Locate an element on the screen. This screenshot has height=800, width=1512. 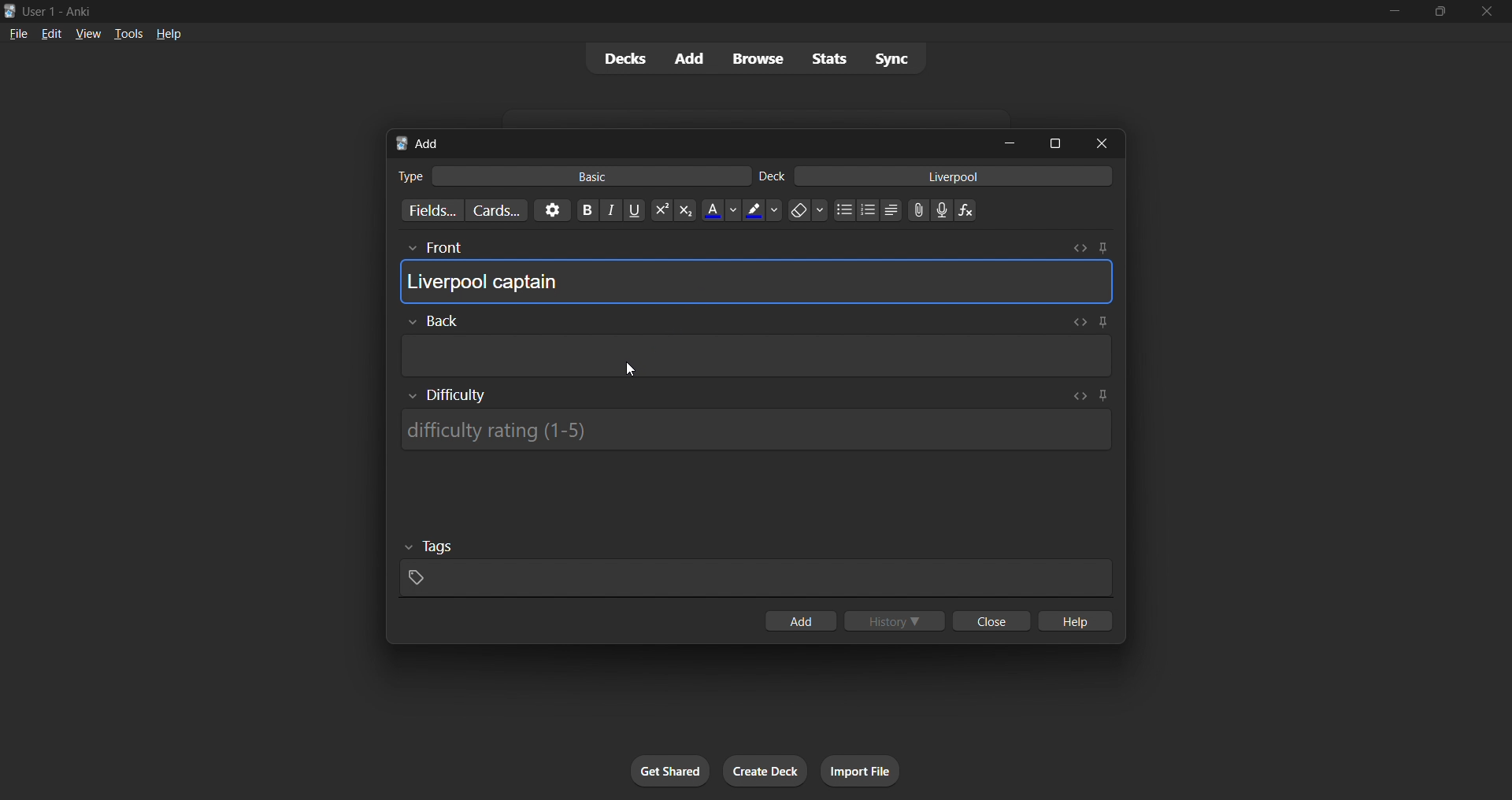
card tags input is located at coordinates (756, 579).